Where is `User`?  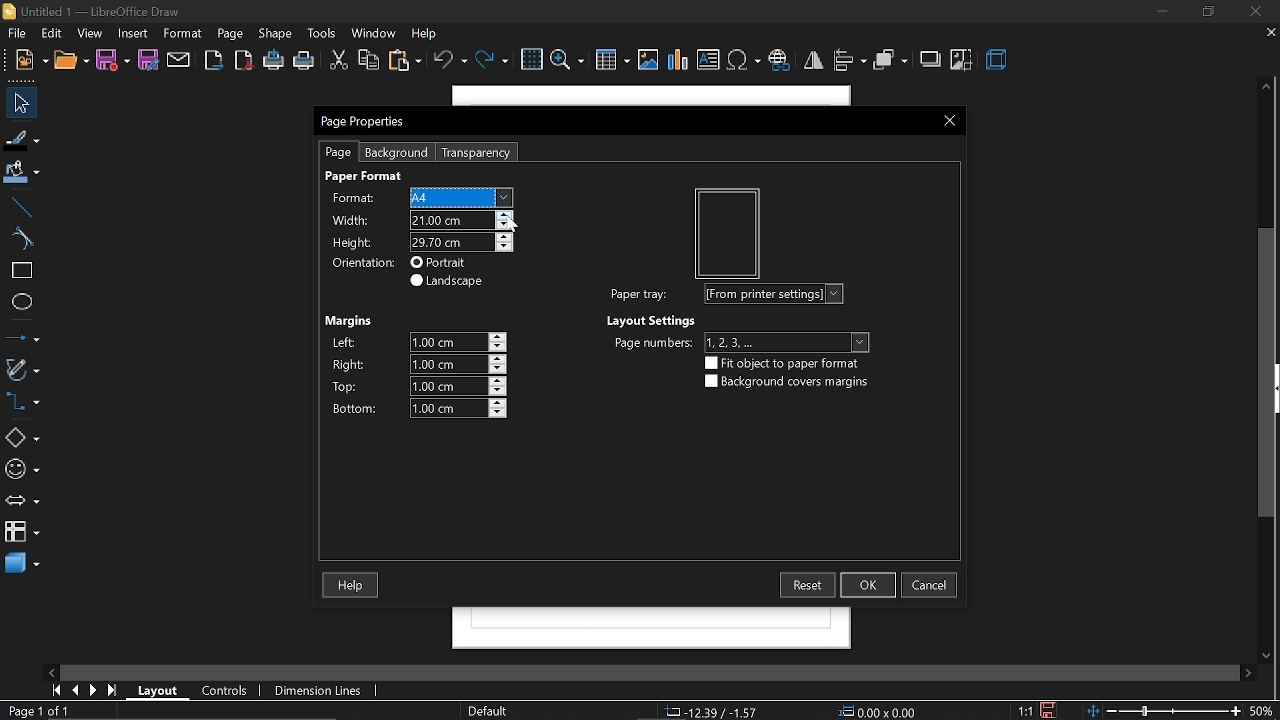
User is located at coordinates (462, 195).